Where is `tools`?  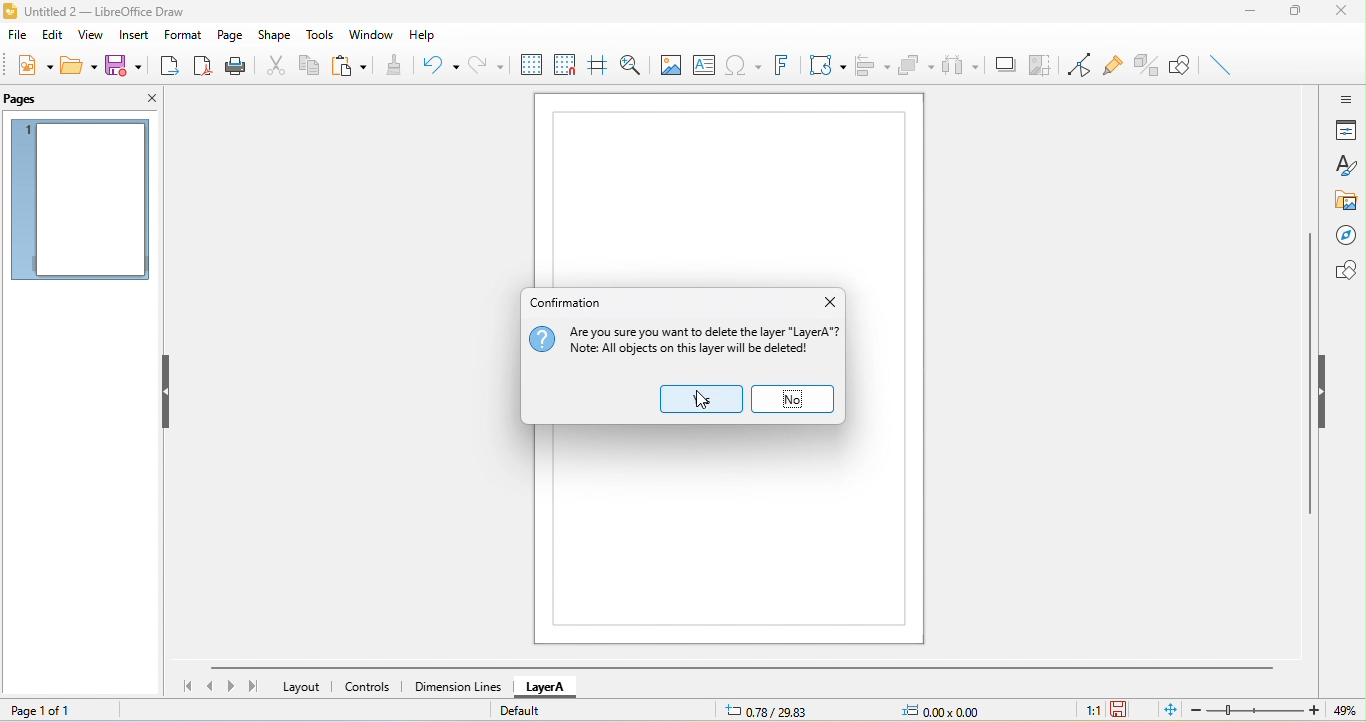
tools is located at coordinates (322, 34).